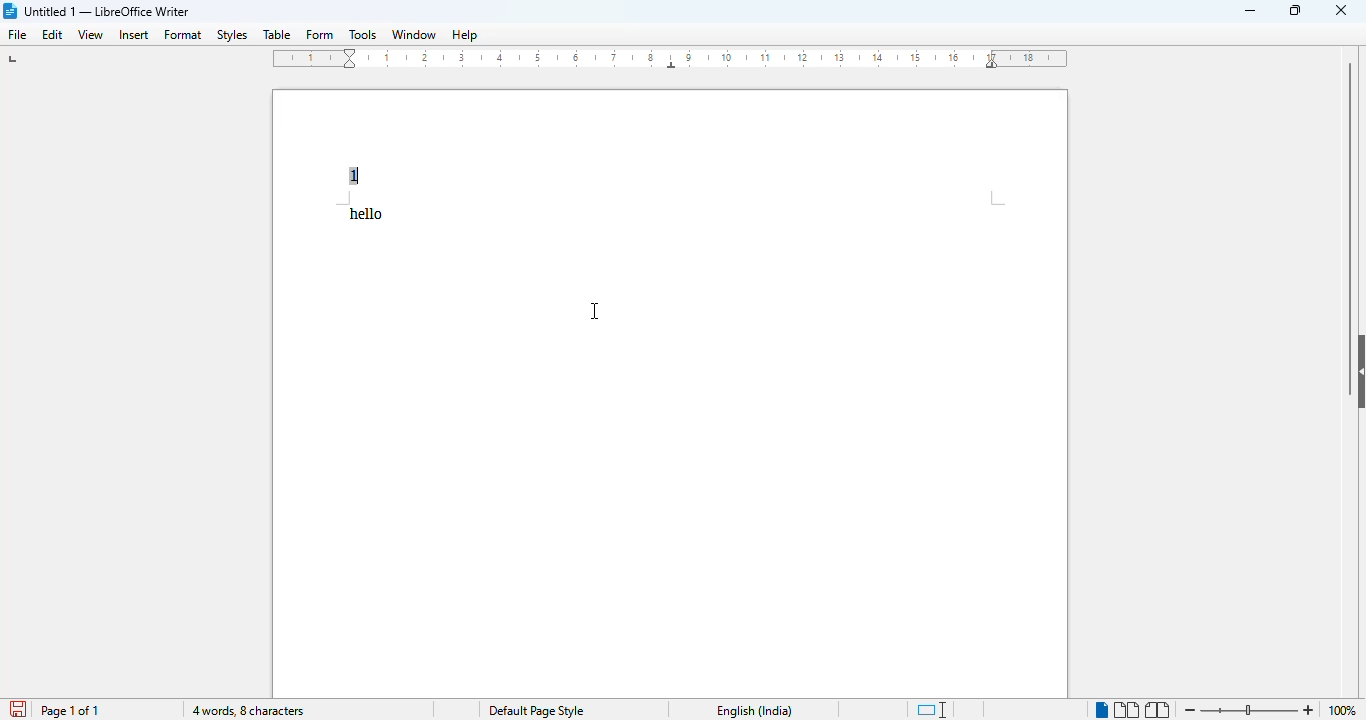 This screenshot has height=720, width=1366. Describe the element at coordinates (466, 35) in the screenshot. I see `help` at that location.